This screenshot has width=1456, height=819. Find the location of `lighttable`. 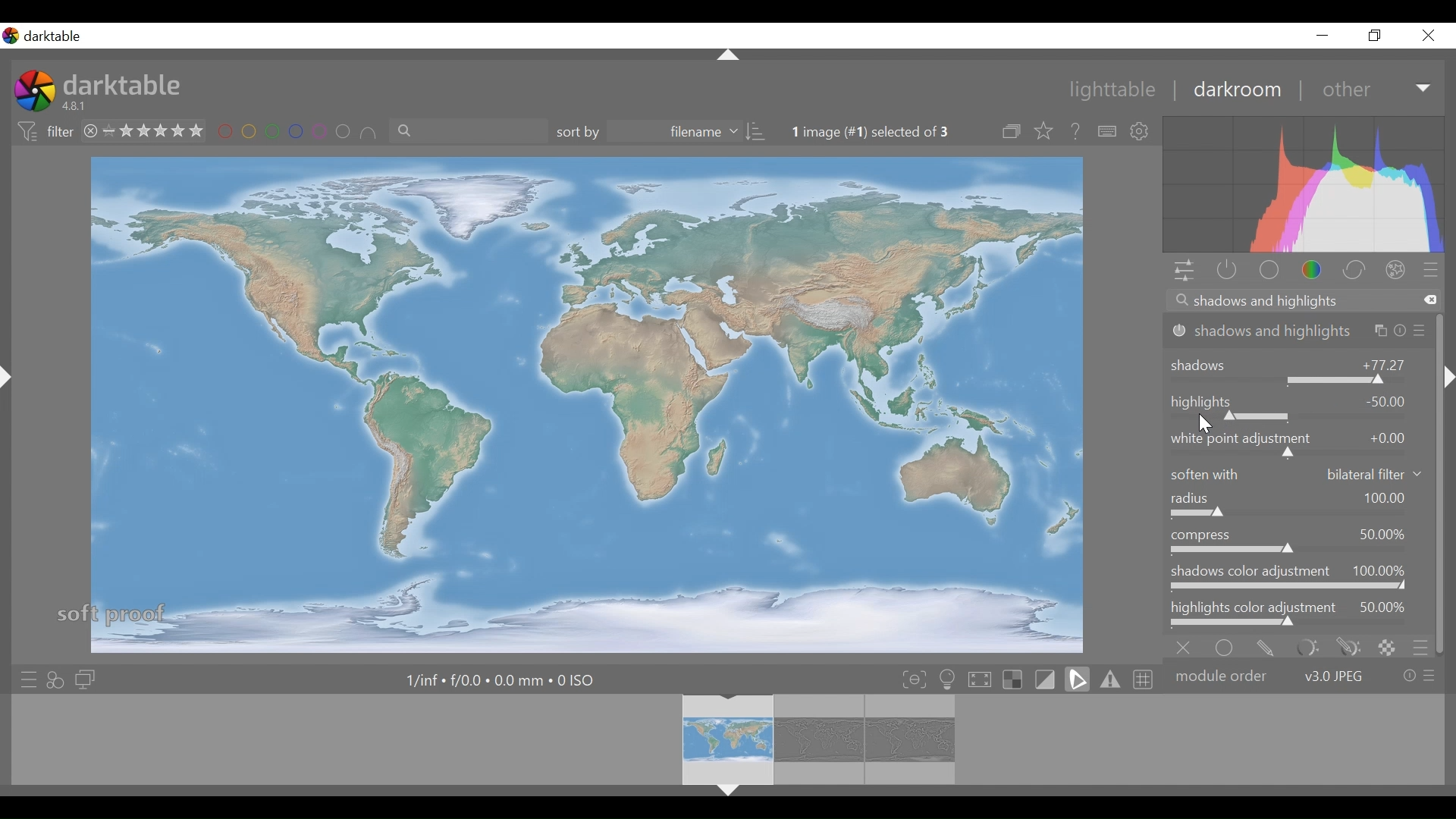

lighttable is located at coordinates (1116, 91).